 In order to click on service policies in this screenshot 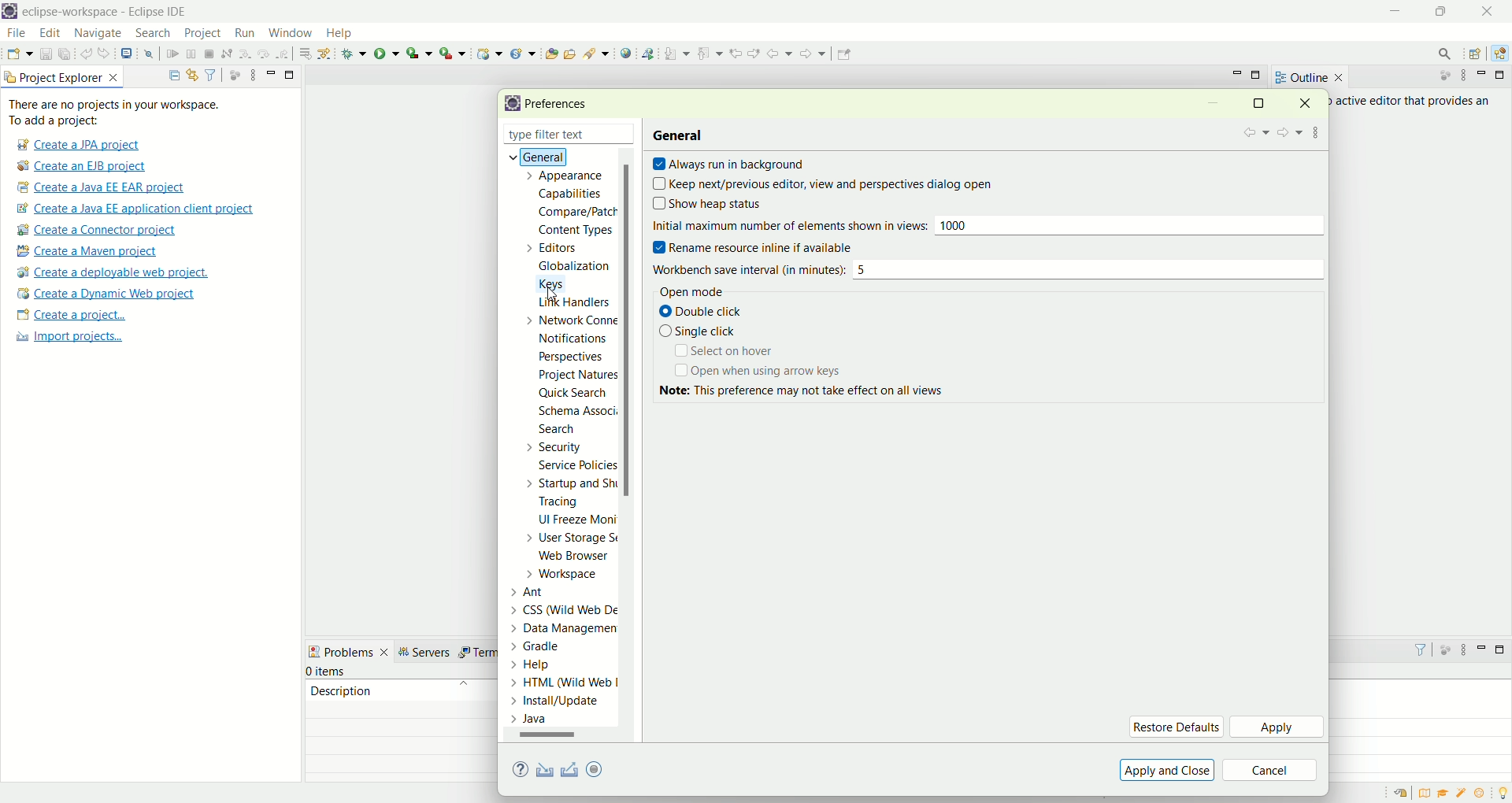, I will do `click(576, 465)`.